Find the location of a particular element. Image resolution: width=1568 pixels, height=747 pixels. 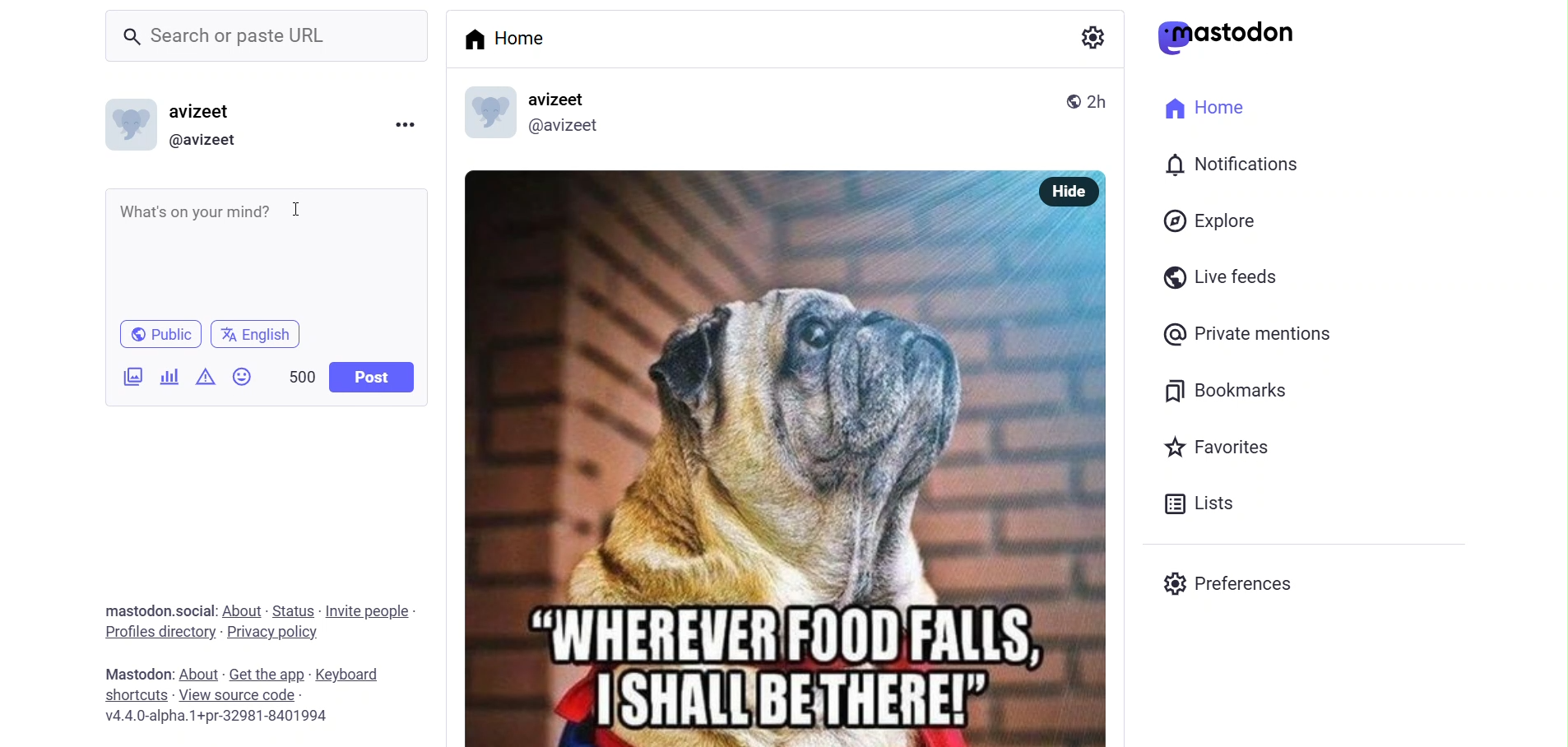

content warning is located at coordinates (206, 378).